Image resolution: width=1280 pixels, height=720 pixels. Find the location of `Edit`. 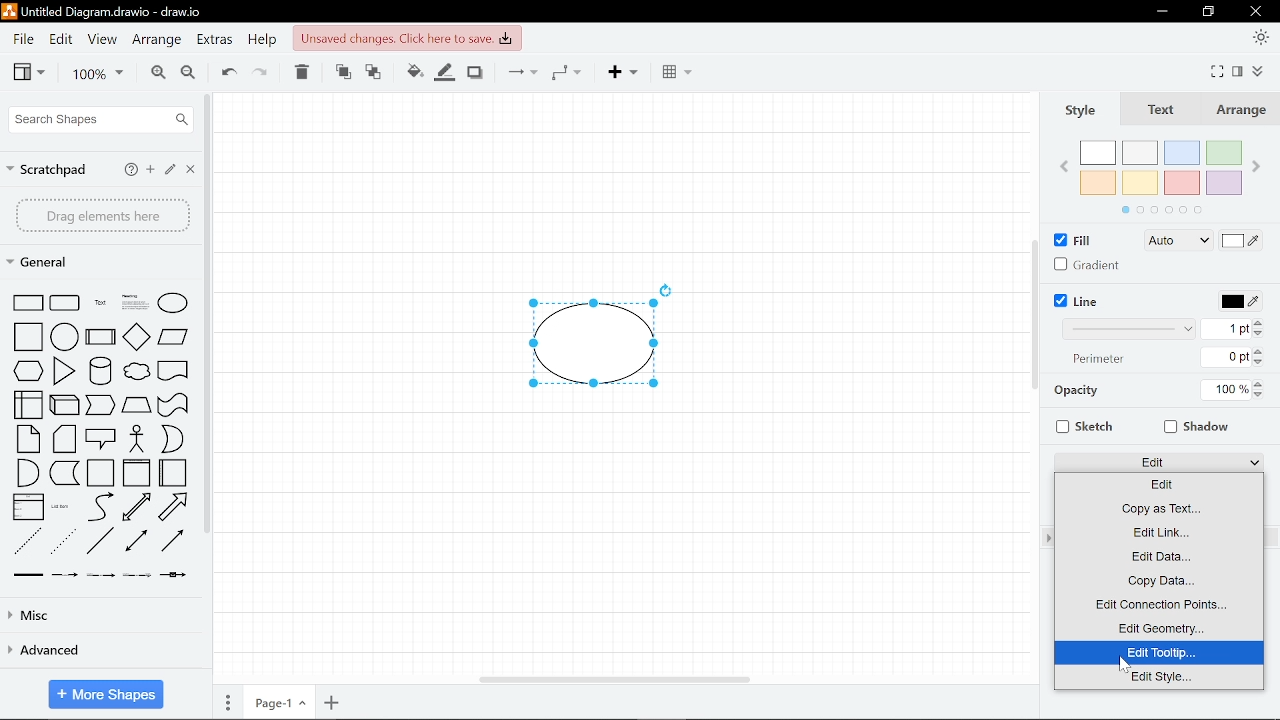

Edit is located at coordinates (1157, 485).